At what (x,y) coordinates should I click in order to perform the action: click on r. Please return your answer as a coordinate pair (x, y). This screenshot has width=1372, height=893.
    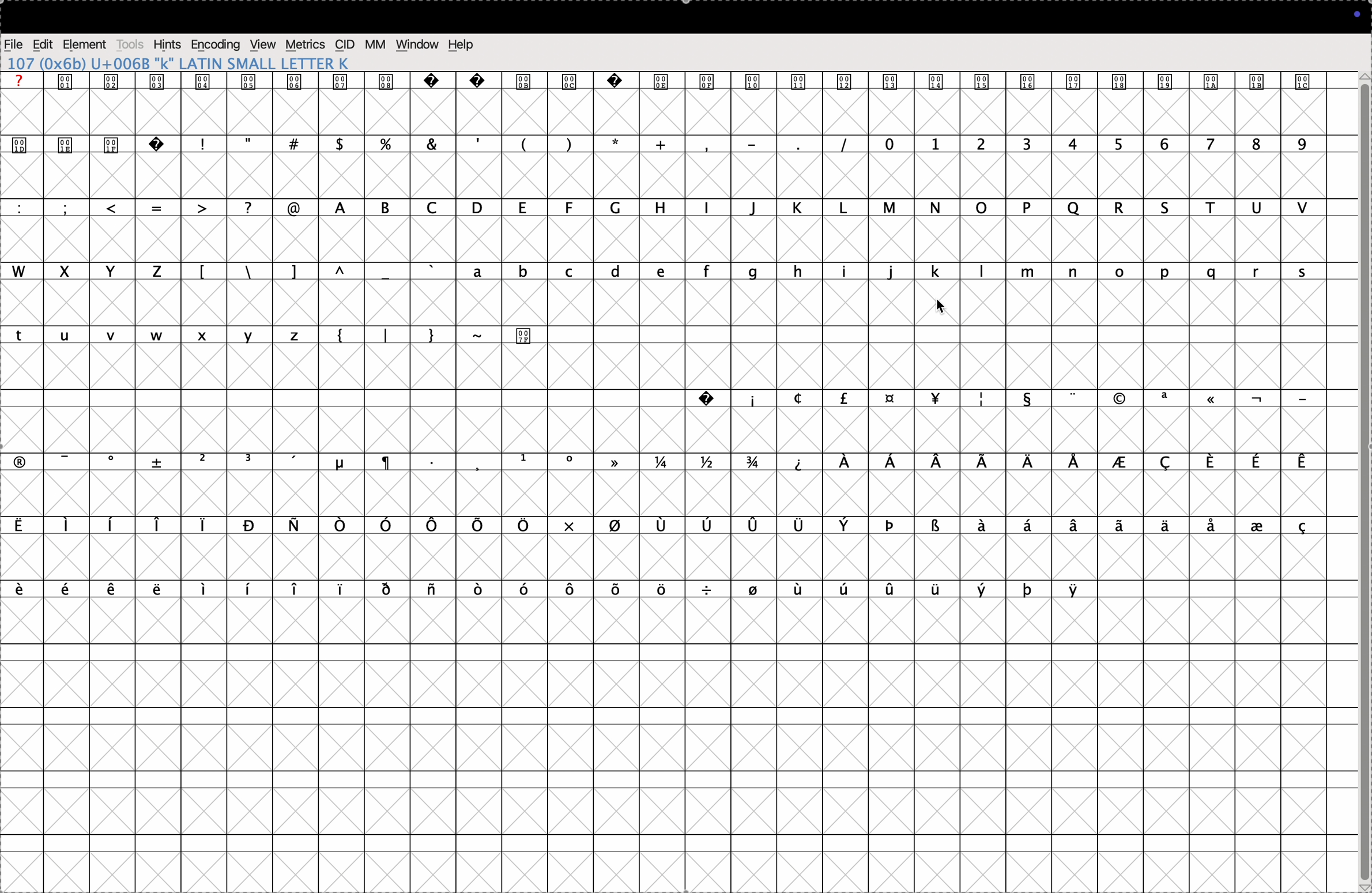
    Looking at the image, I should click on (1262, 272).